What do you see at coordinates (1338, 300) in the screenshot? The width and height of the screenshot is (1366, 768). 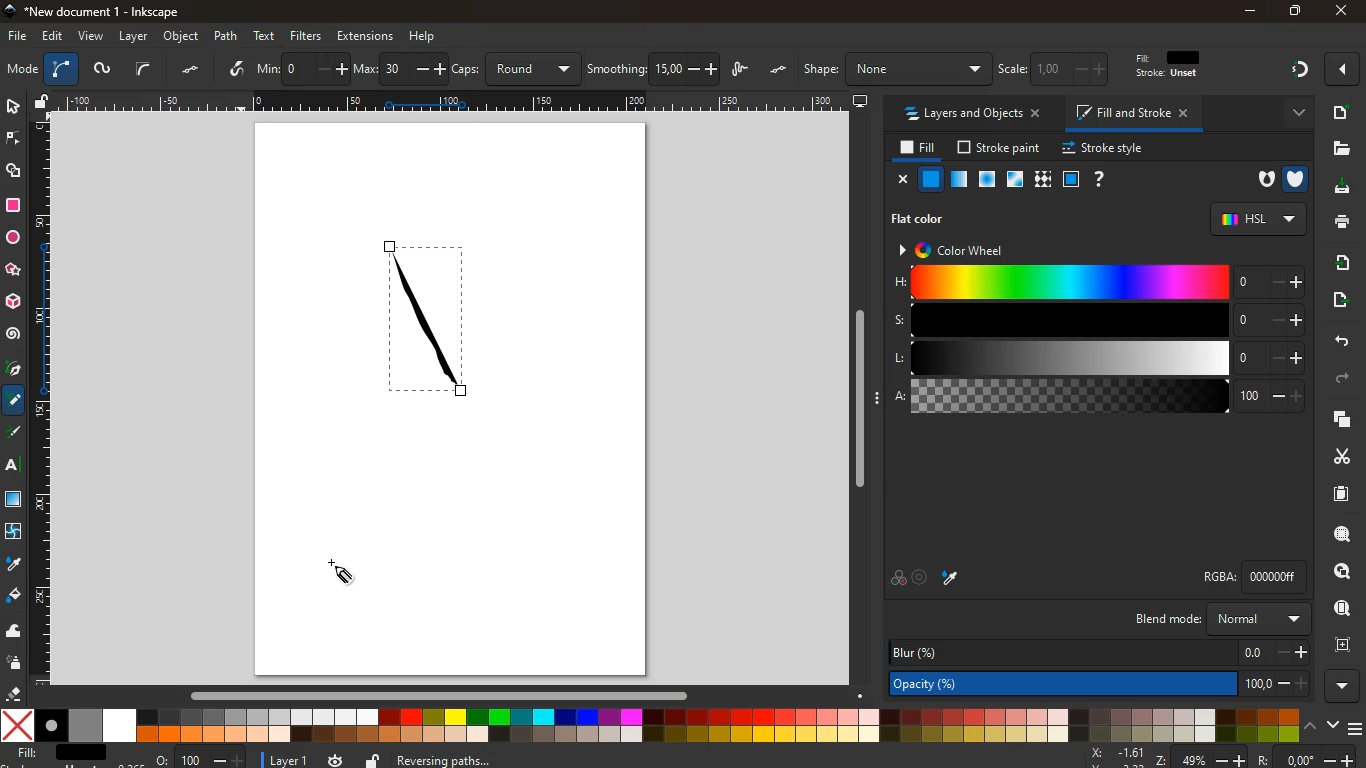 I see `send` at bounding box center [1338, 300].